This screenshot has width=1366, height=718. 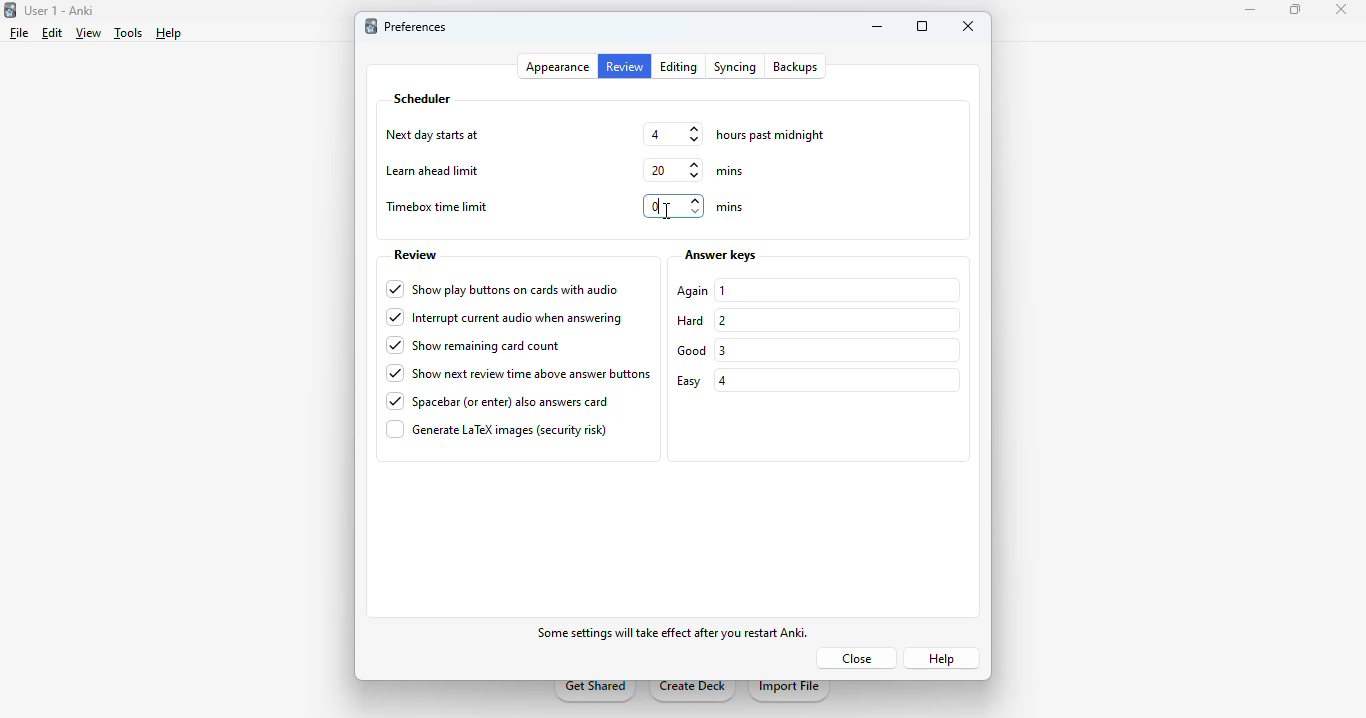 I want to click on backups, so click(x=796, y=67).